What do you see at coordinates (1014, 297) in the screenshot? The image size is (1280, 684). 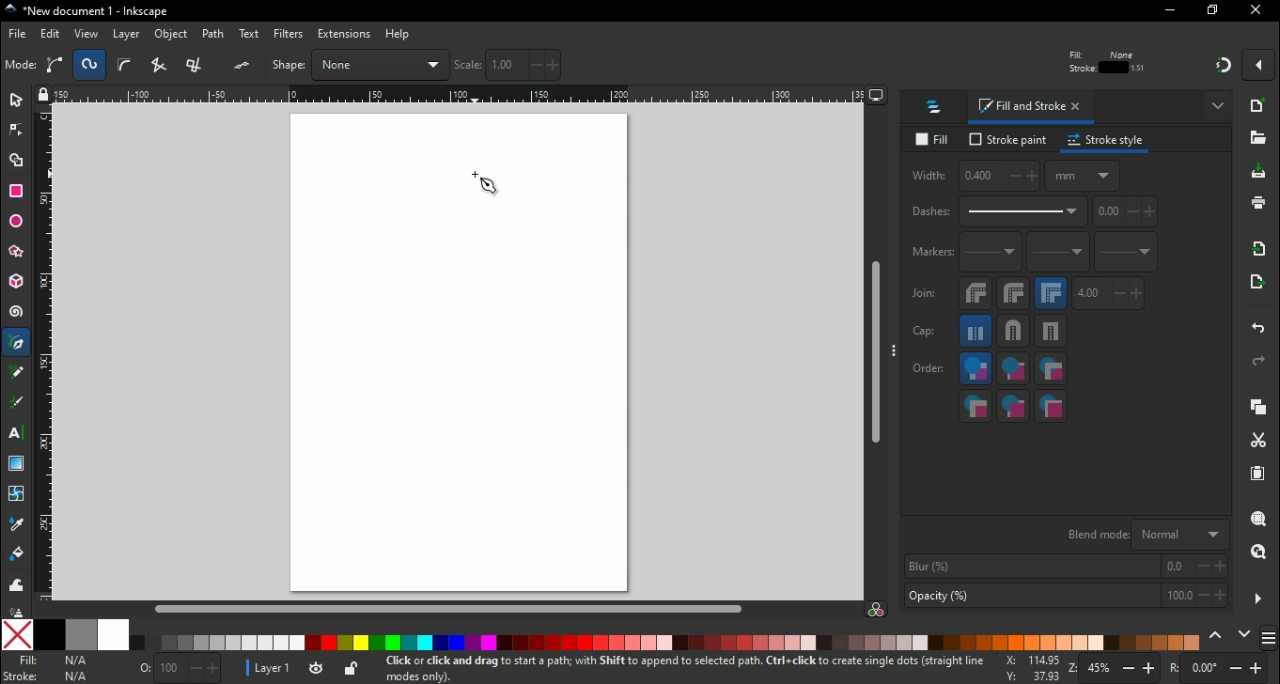 I see `round` at bounding box center [1014, 297].